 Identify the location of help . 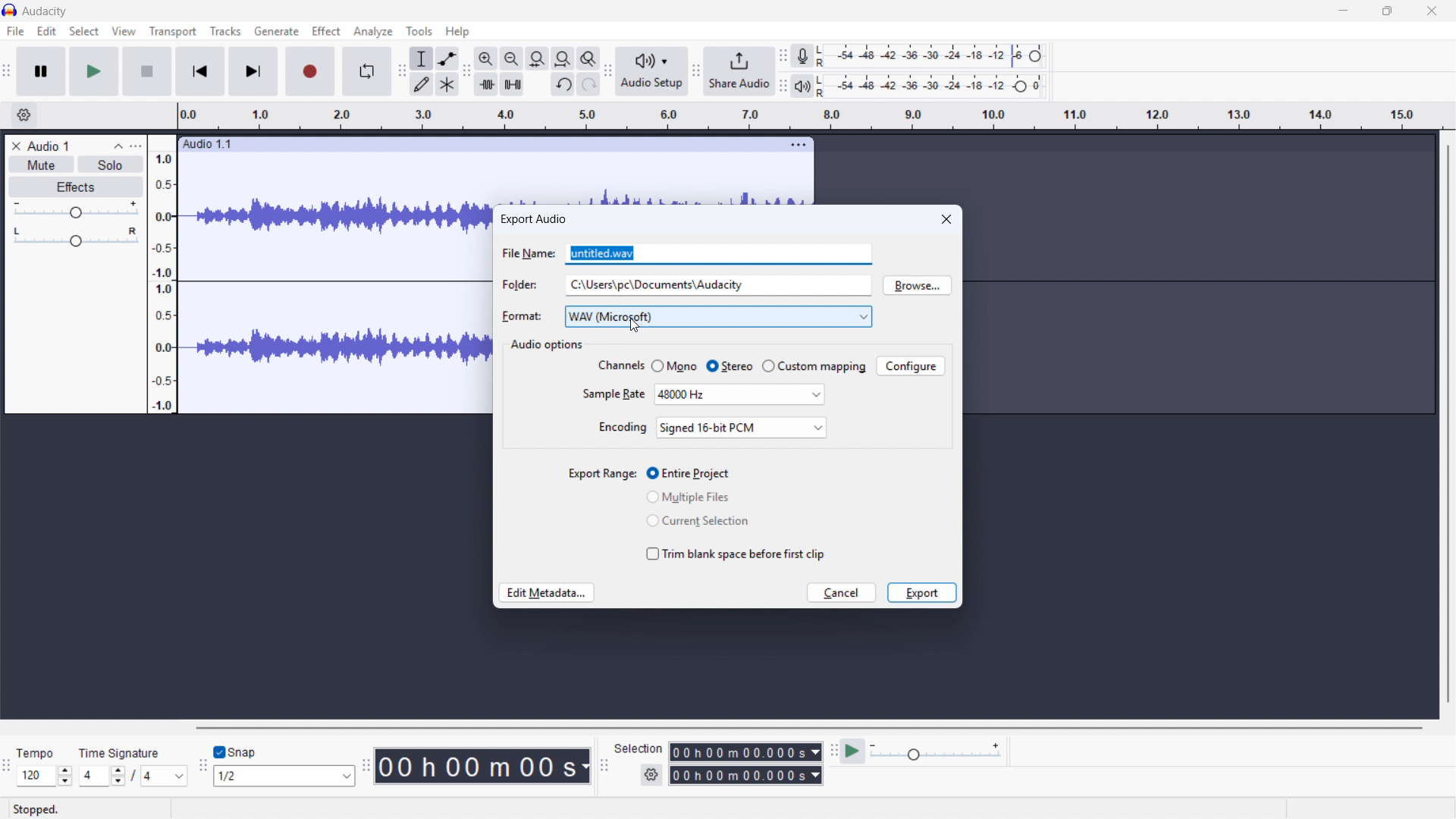
(458, 31).